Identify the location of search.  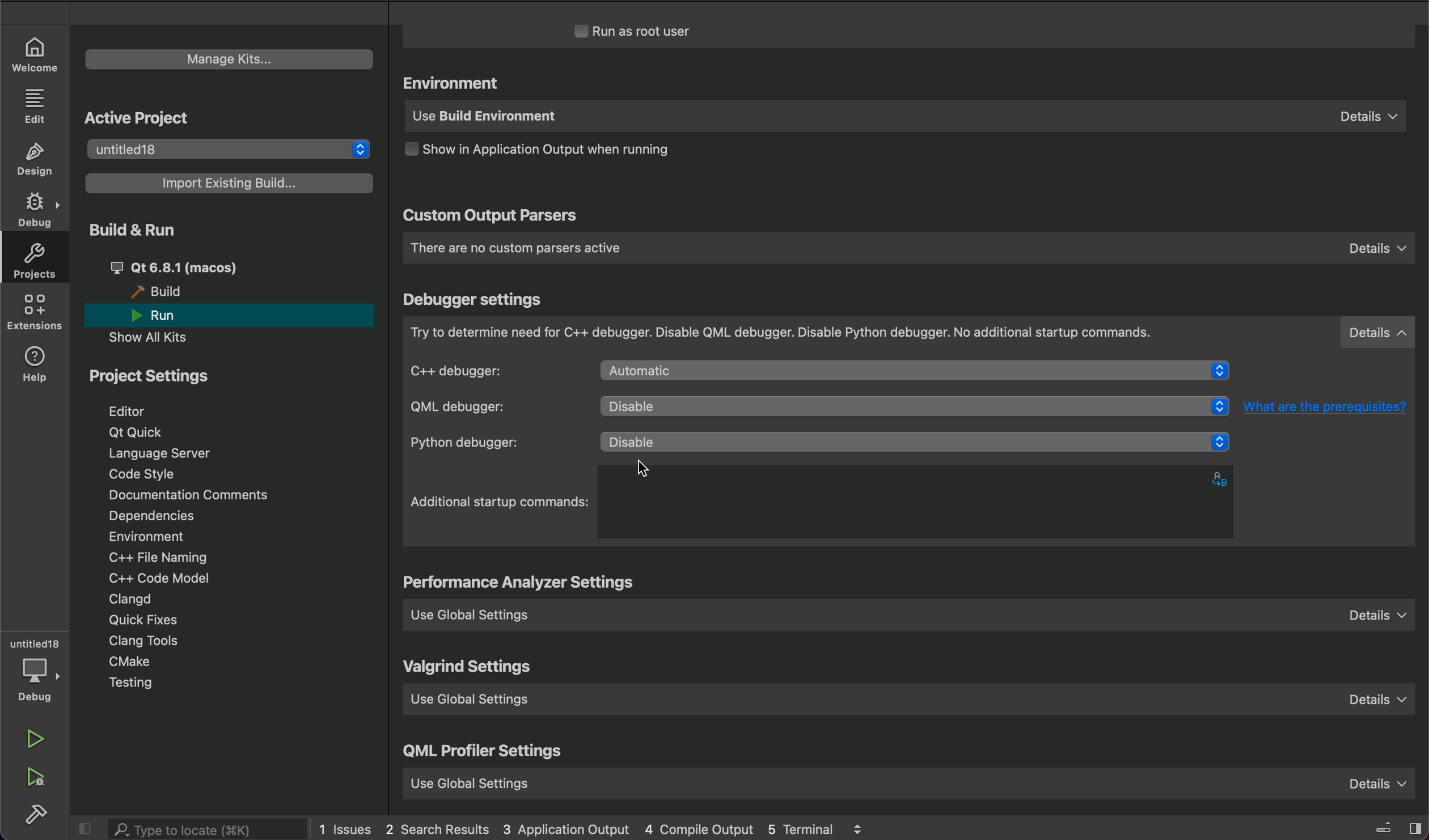
(208, 830).